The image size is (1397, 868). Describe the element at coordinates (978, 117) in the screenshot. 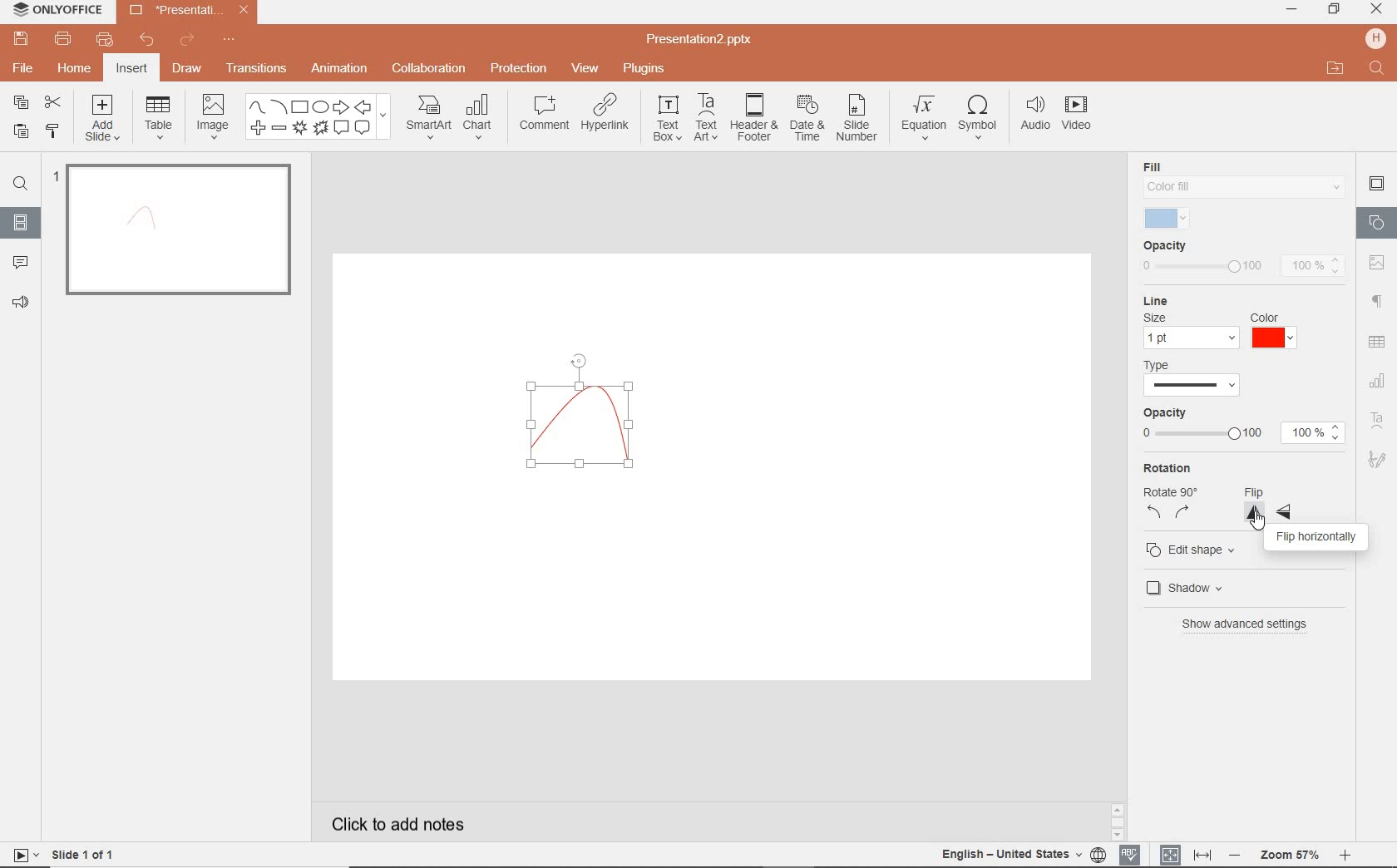

I see `SYMBOL` at that location.